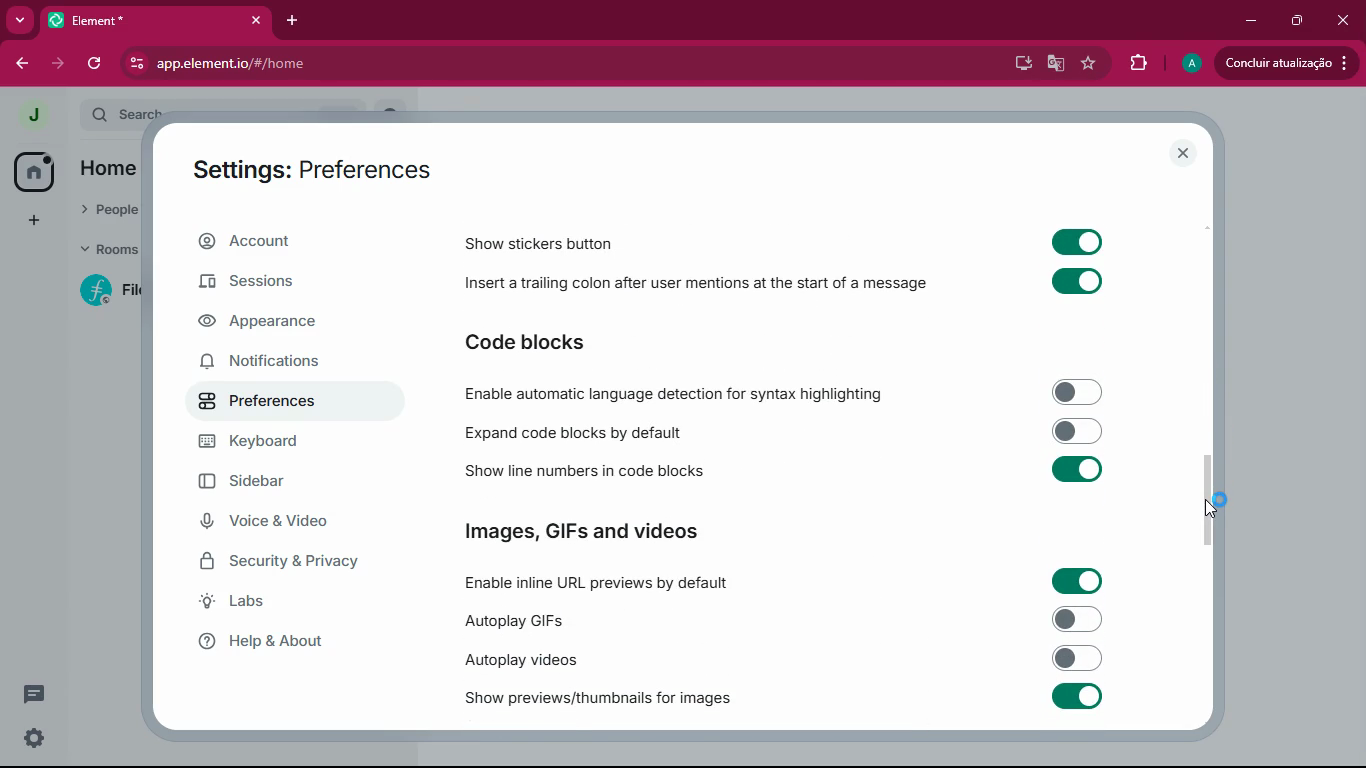 This screenshot has height=768, width=1366. What do you see at coordinates (290, 564) in the screenshot?
I see `Security & Privacy` at bounding box center [290, 564].